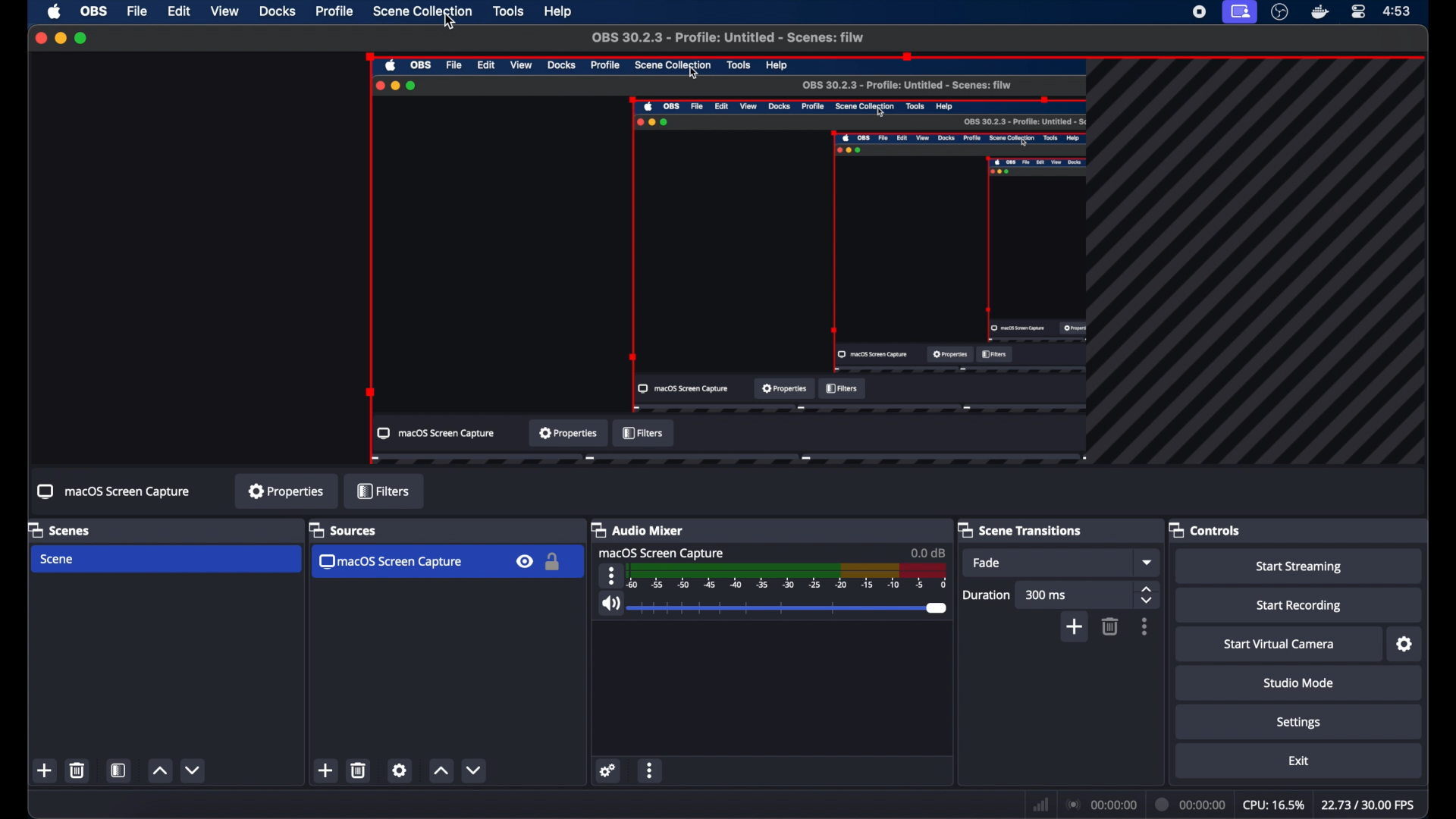  Describe the element at coordinates (1194, 802) in the screenshot. I see `current time indicator` at that location.